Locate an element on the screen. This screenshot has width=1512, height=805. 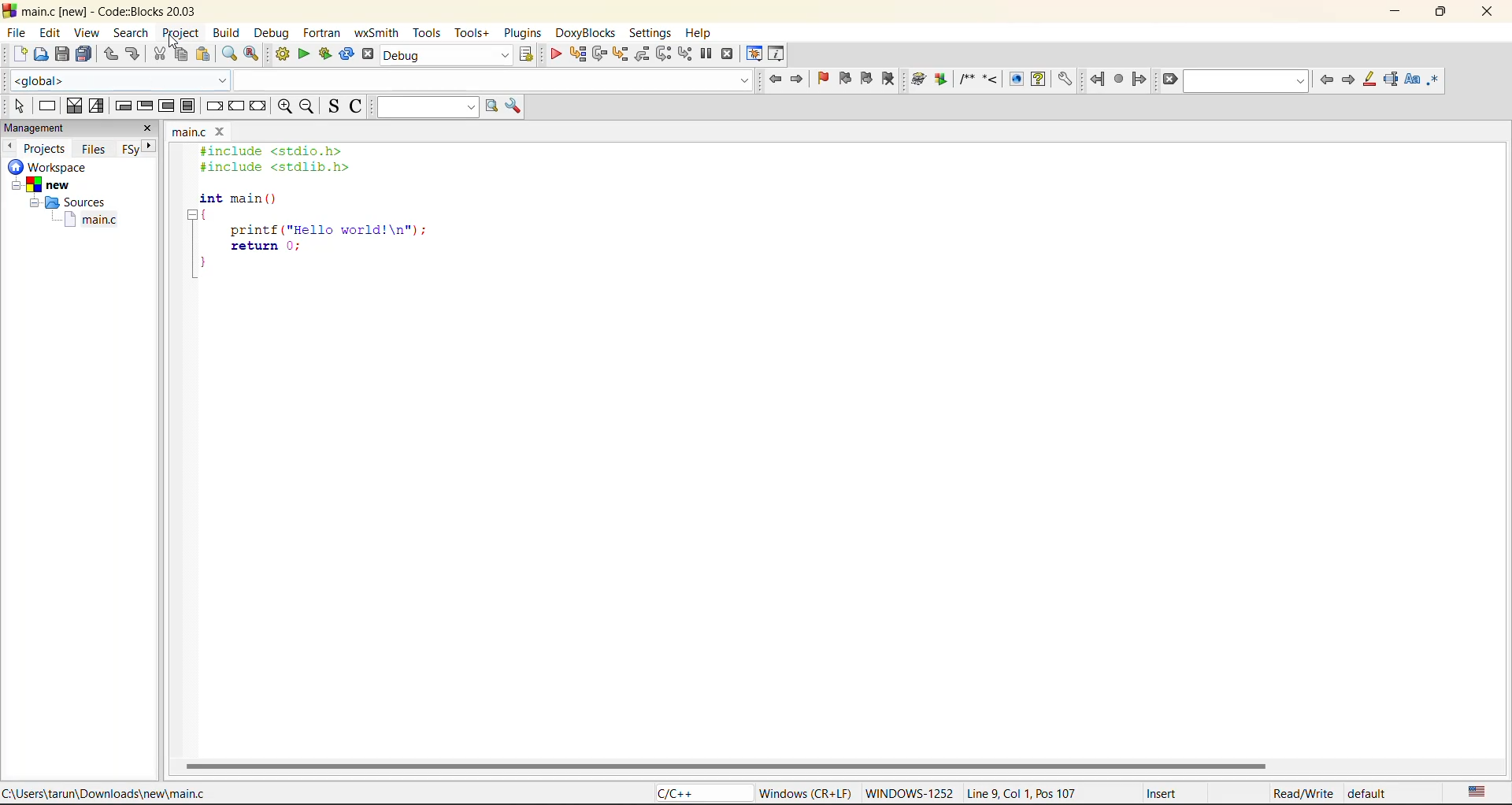
main.c is located at coordinates (187, 132).